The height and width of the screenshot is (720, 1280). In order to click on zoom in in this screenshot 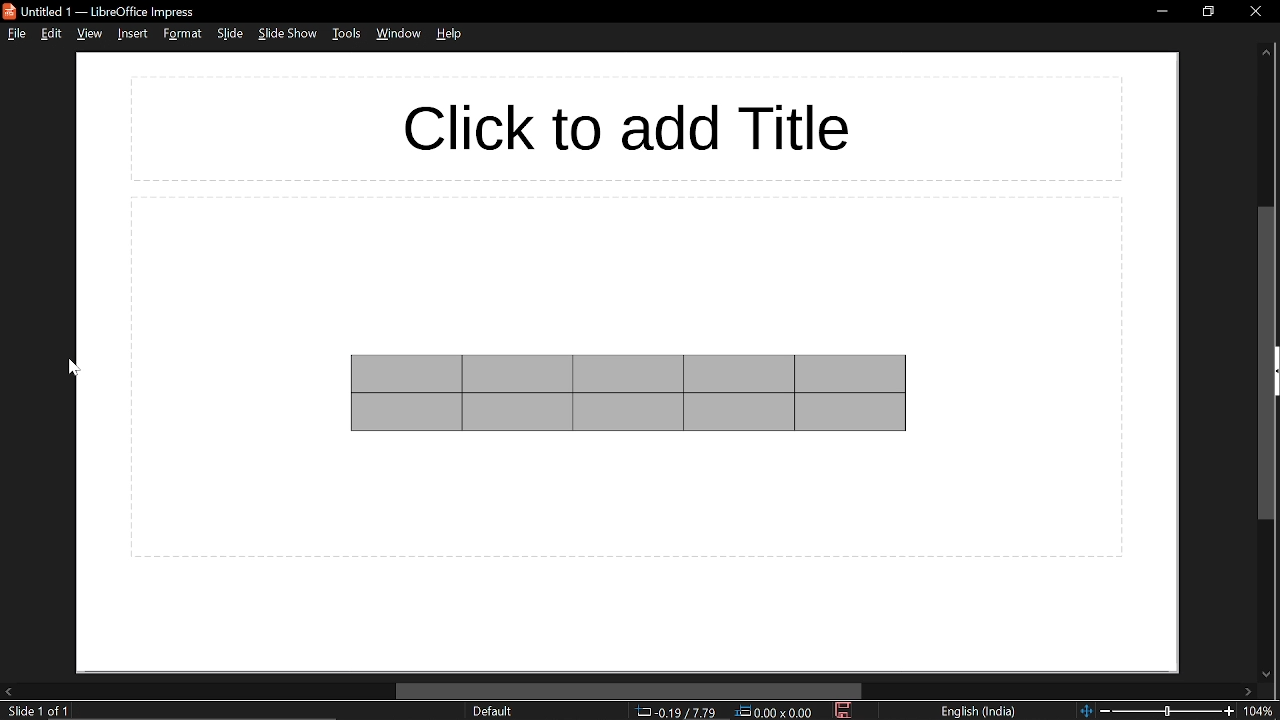, I will do `click(1230, 711)`.